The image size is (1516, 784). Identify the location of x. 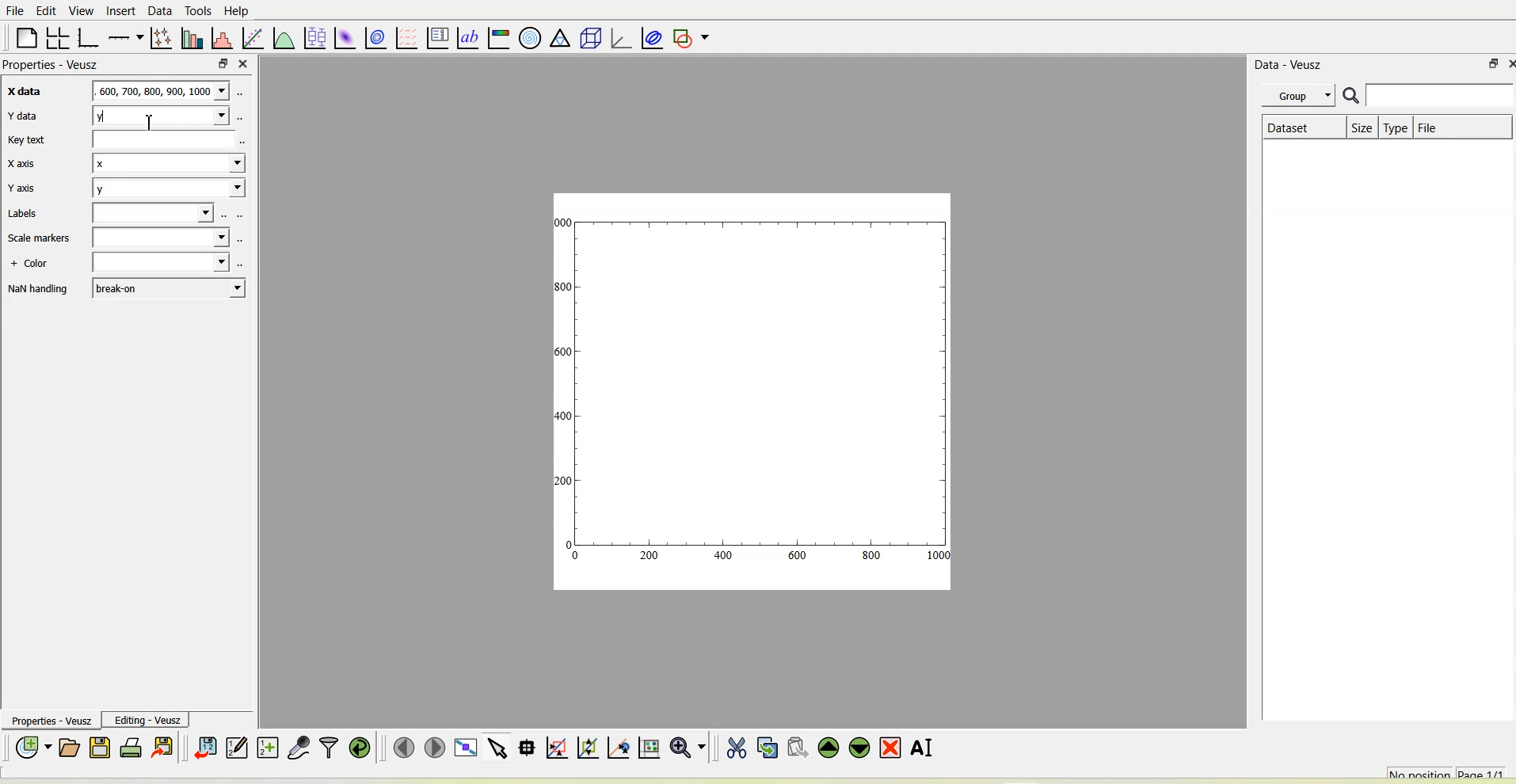
(170, 162).